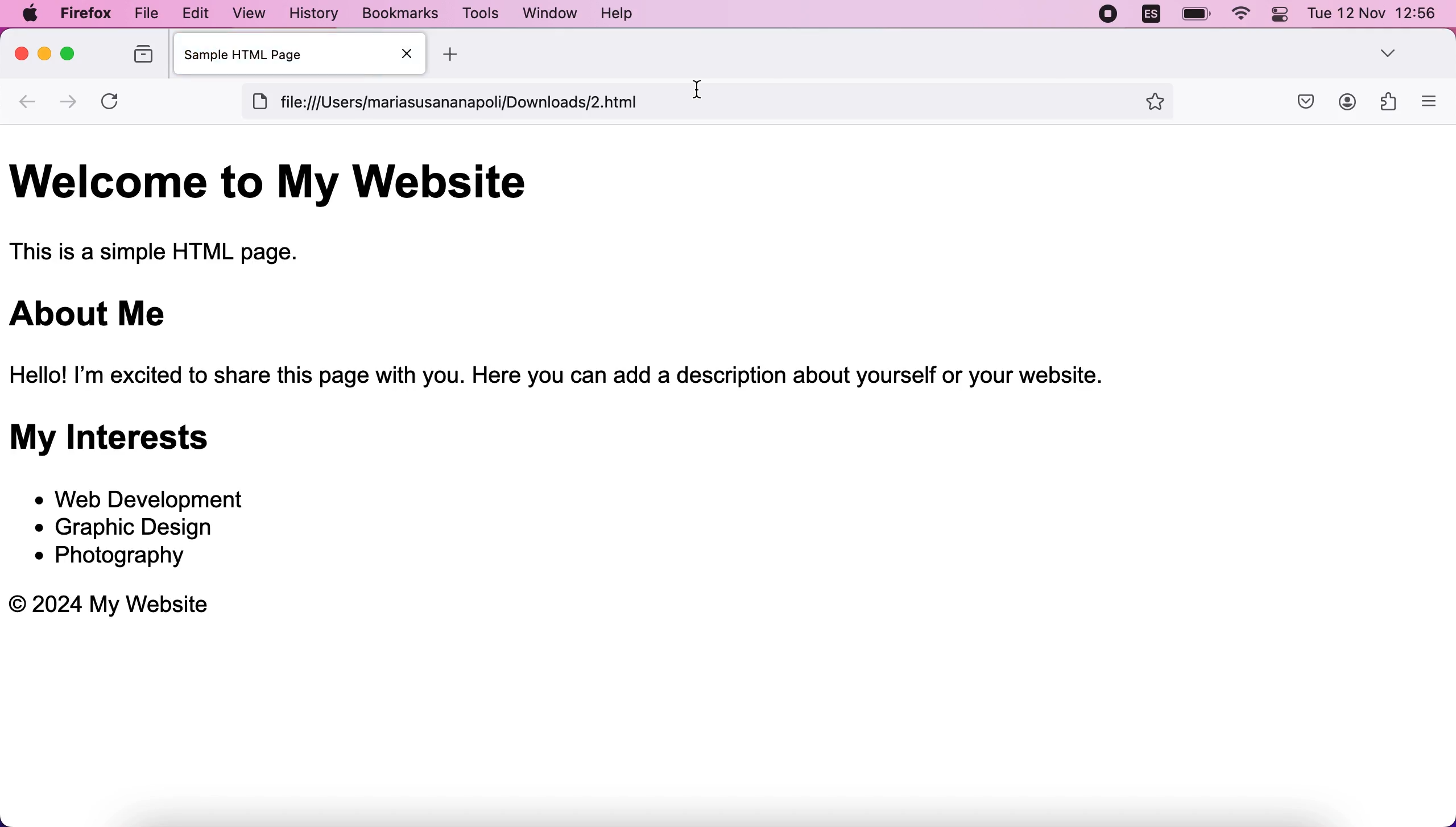 The height and width of the screenshot is (827, 1456). I want to click on minimize, so click(44, 59).